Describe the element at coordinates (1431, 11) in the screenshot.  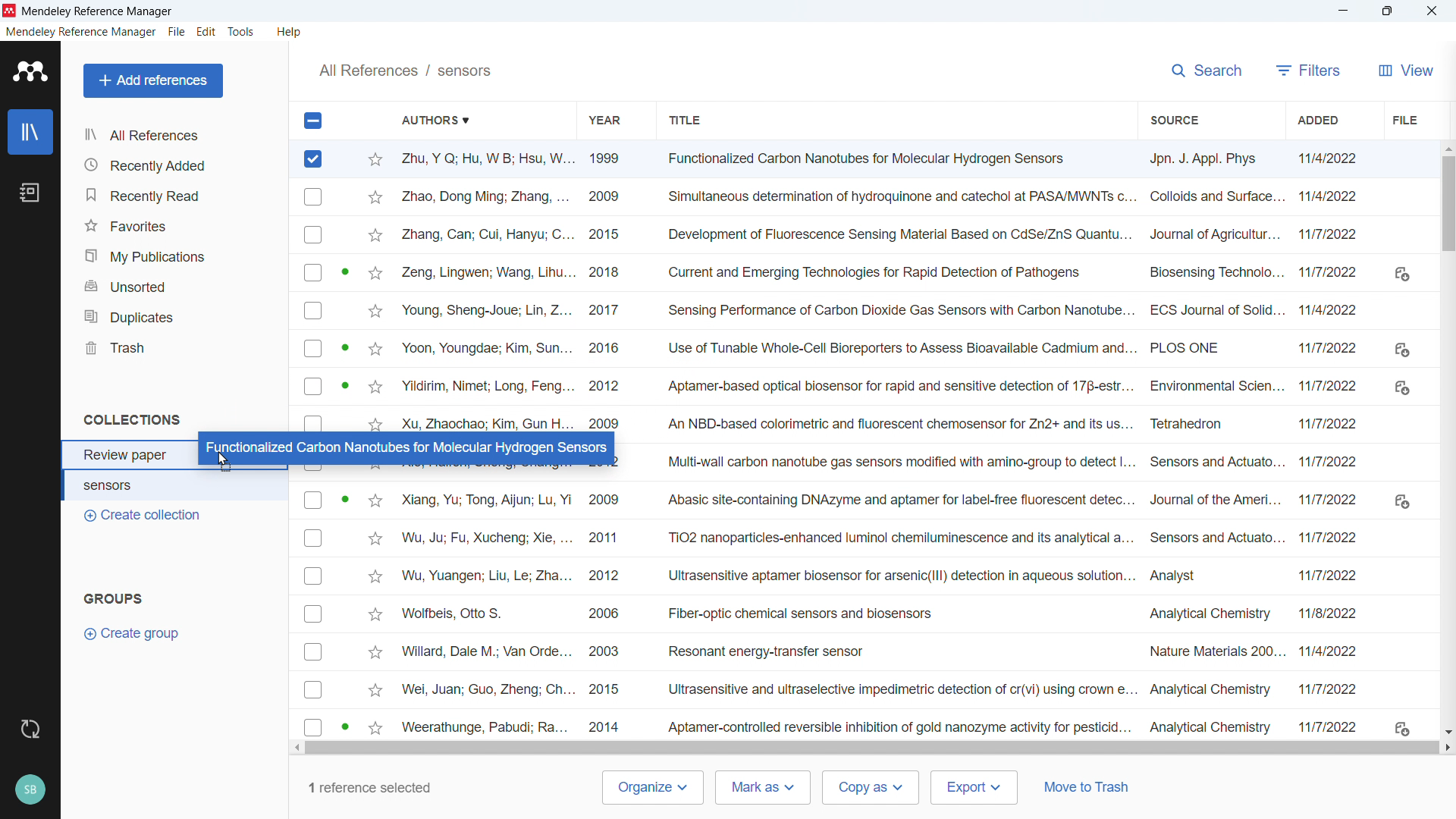
I see `` at that location.